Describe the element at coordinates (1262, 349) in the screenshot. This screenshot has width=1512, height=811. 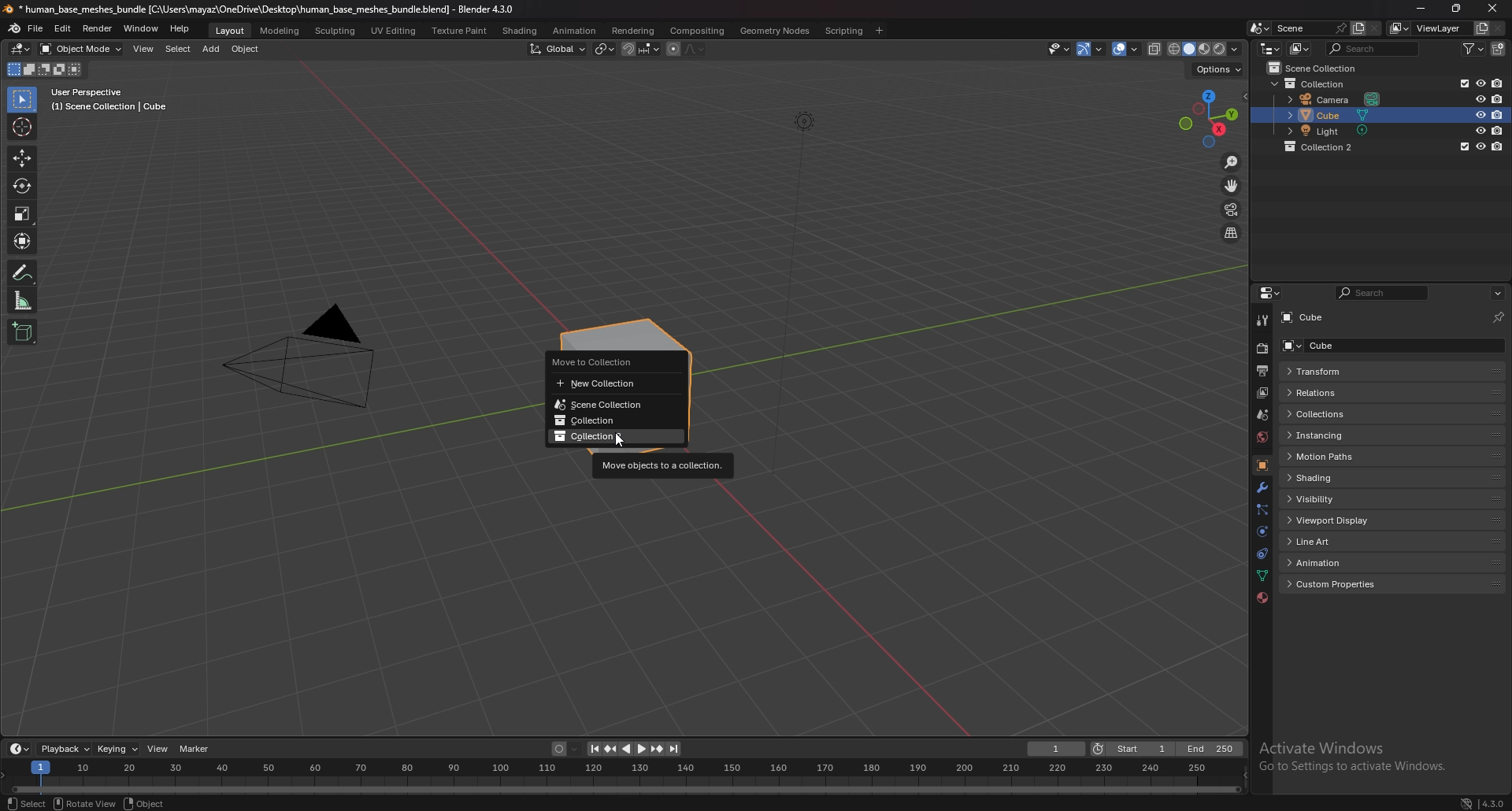
I see `render` at that location.